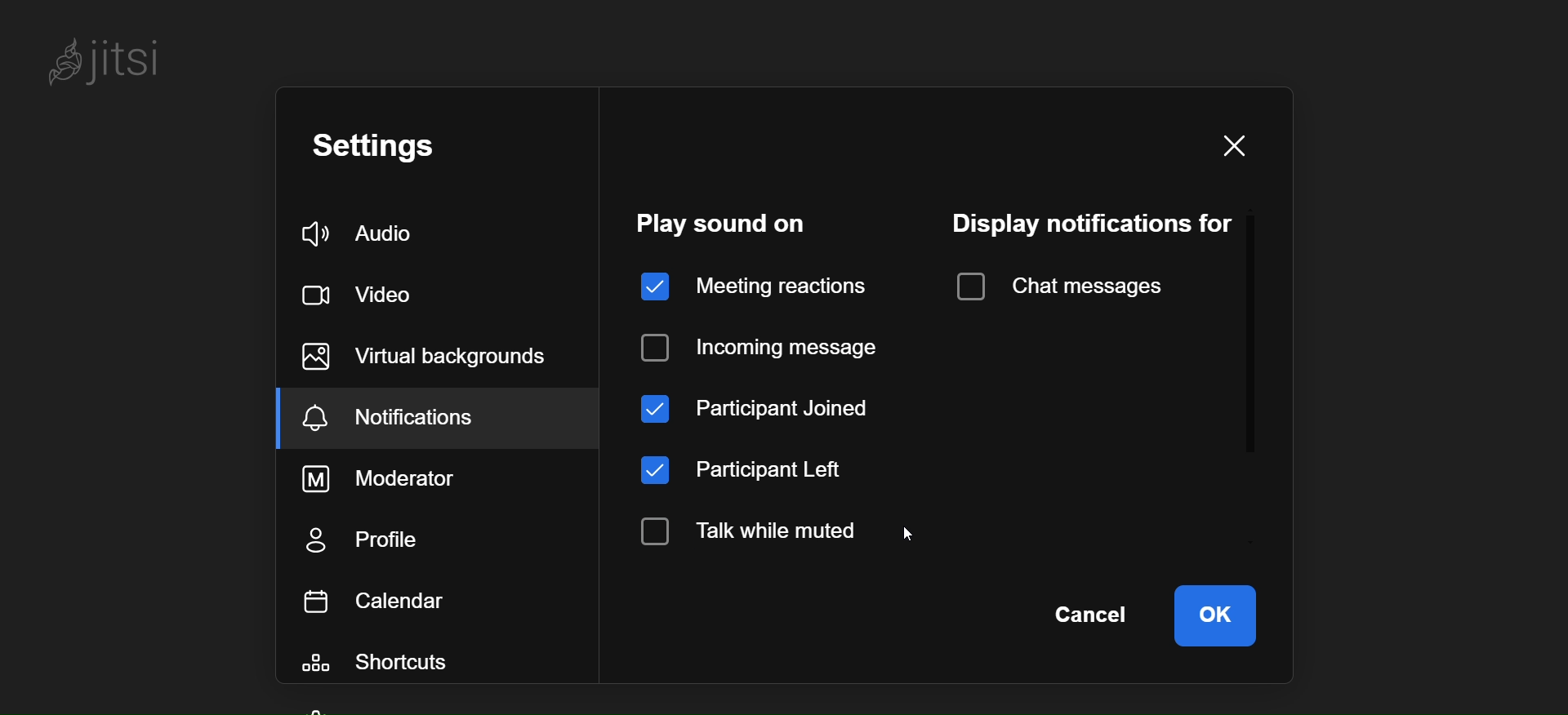 This screenshot has width=1568, height=715. Describe the element at coordinates (746, 282) in the screenshot. I see `meeting reaction` at that location.